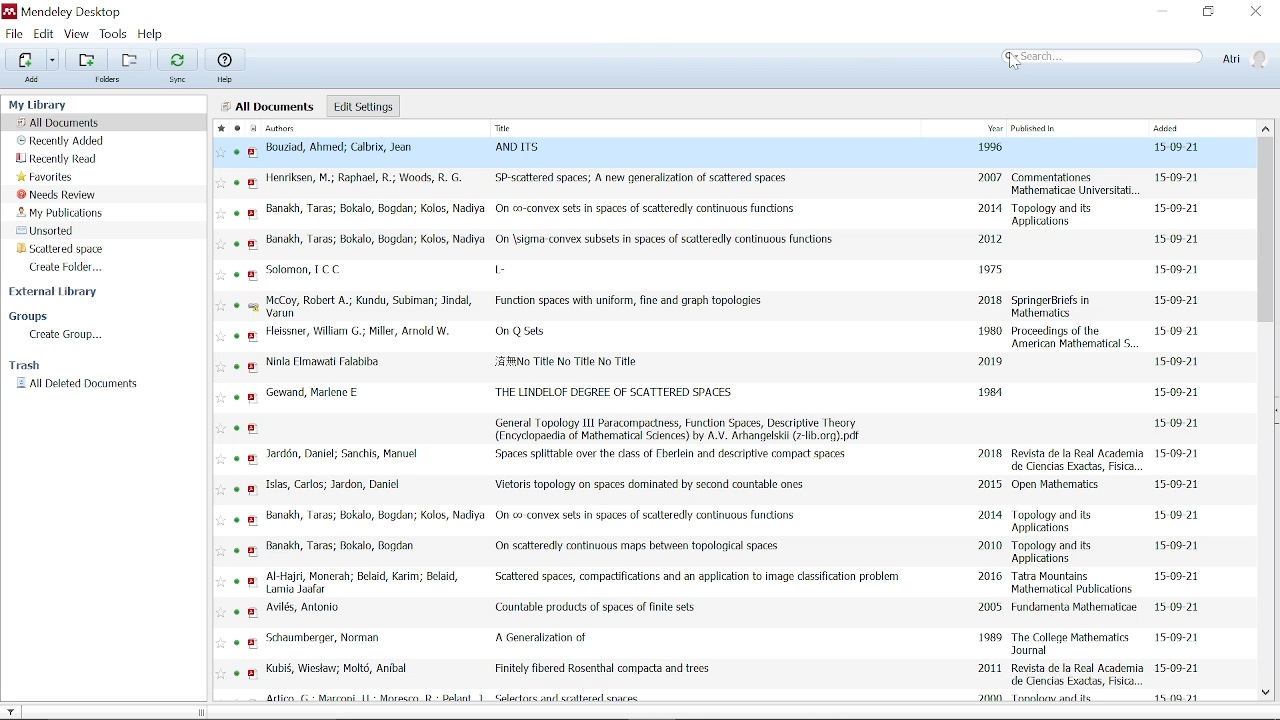  I want to click on Add files options, so click(54, 60).